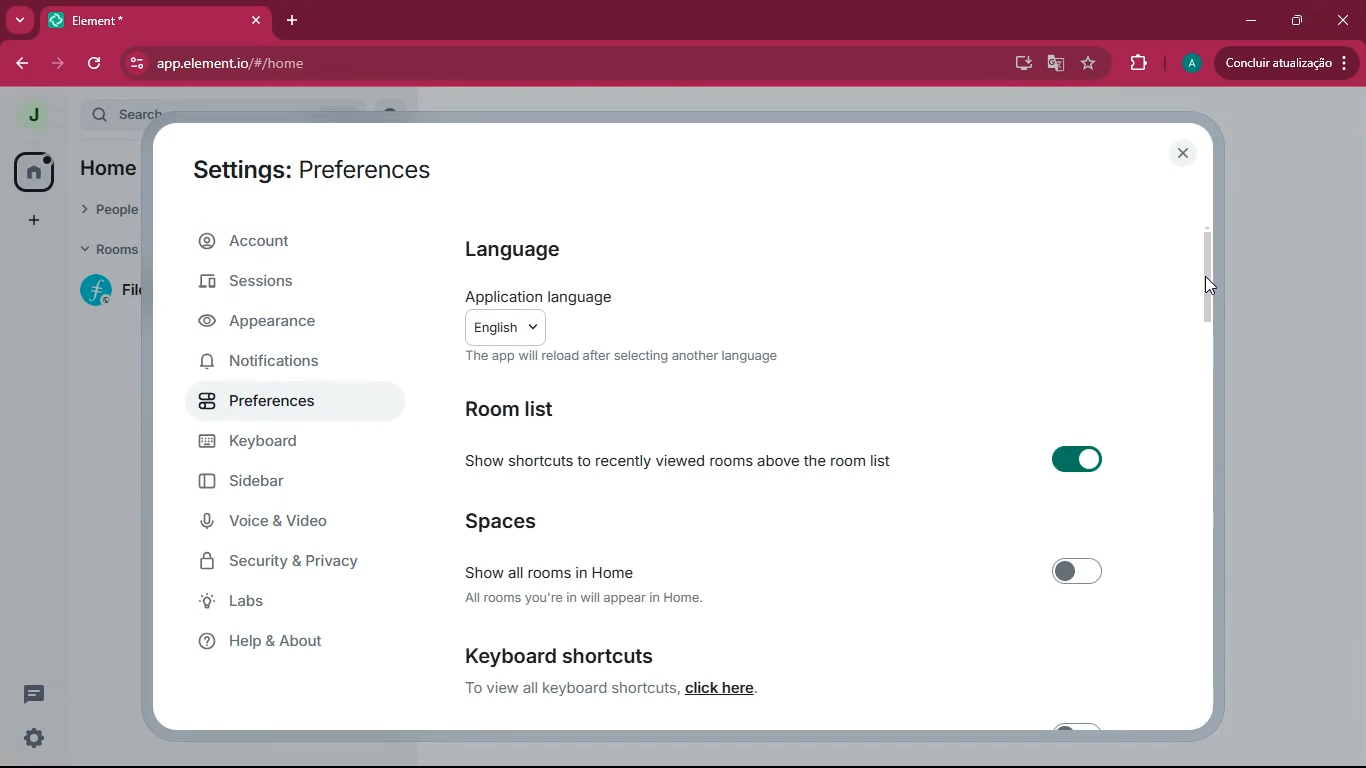 The image size is (1366, 768). What do you see at coordinates (605, 598) in the screenshot?
I see `All rooms you're in will appear in Home.` at bounding box center [605, 598].